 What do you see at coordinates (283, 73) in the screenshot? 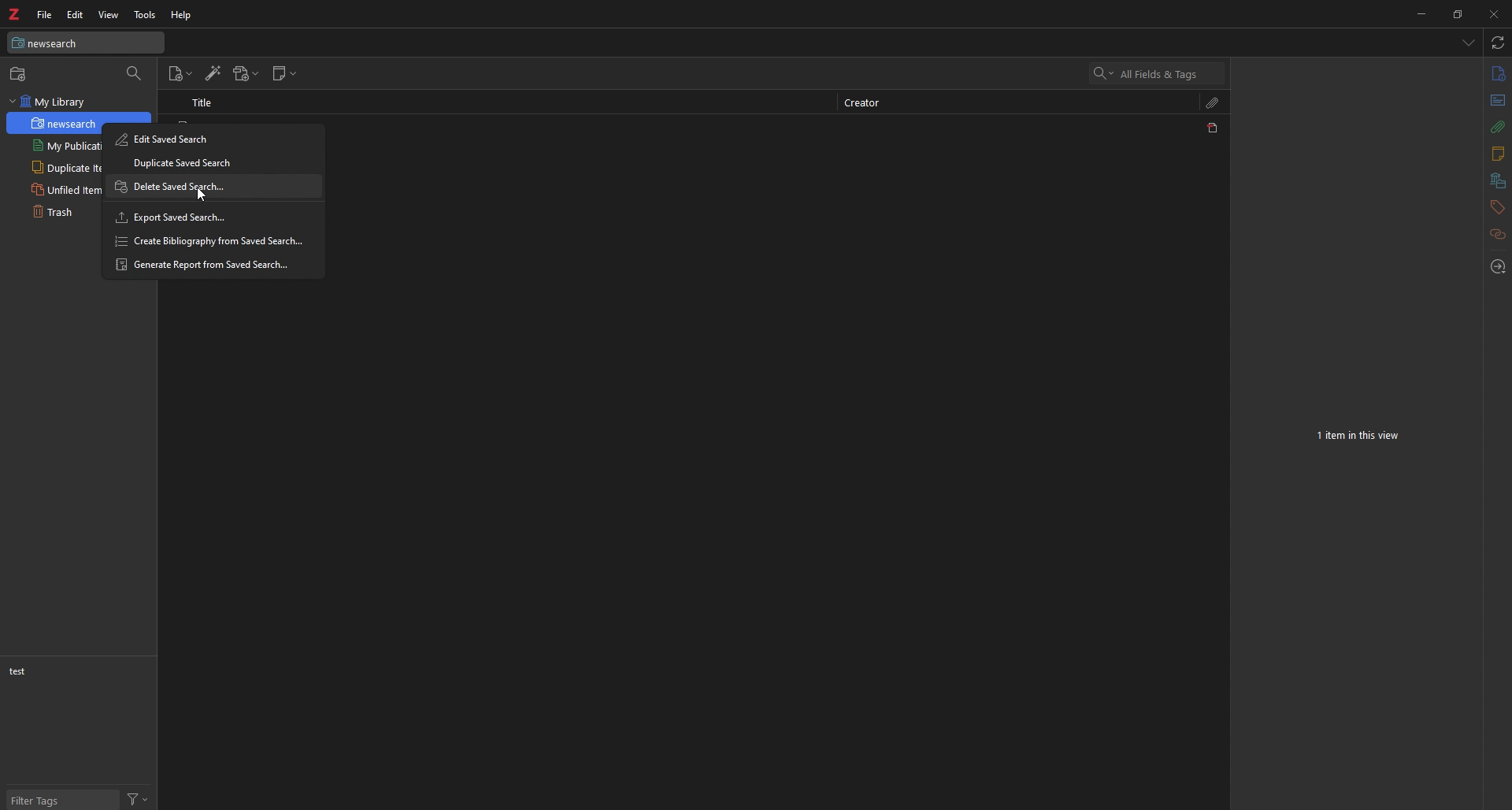
I see `new note` at bounding box center [283, 73].